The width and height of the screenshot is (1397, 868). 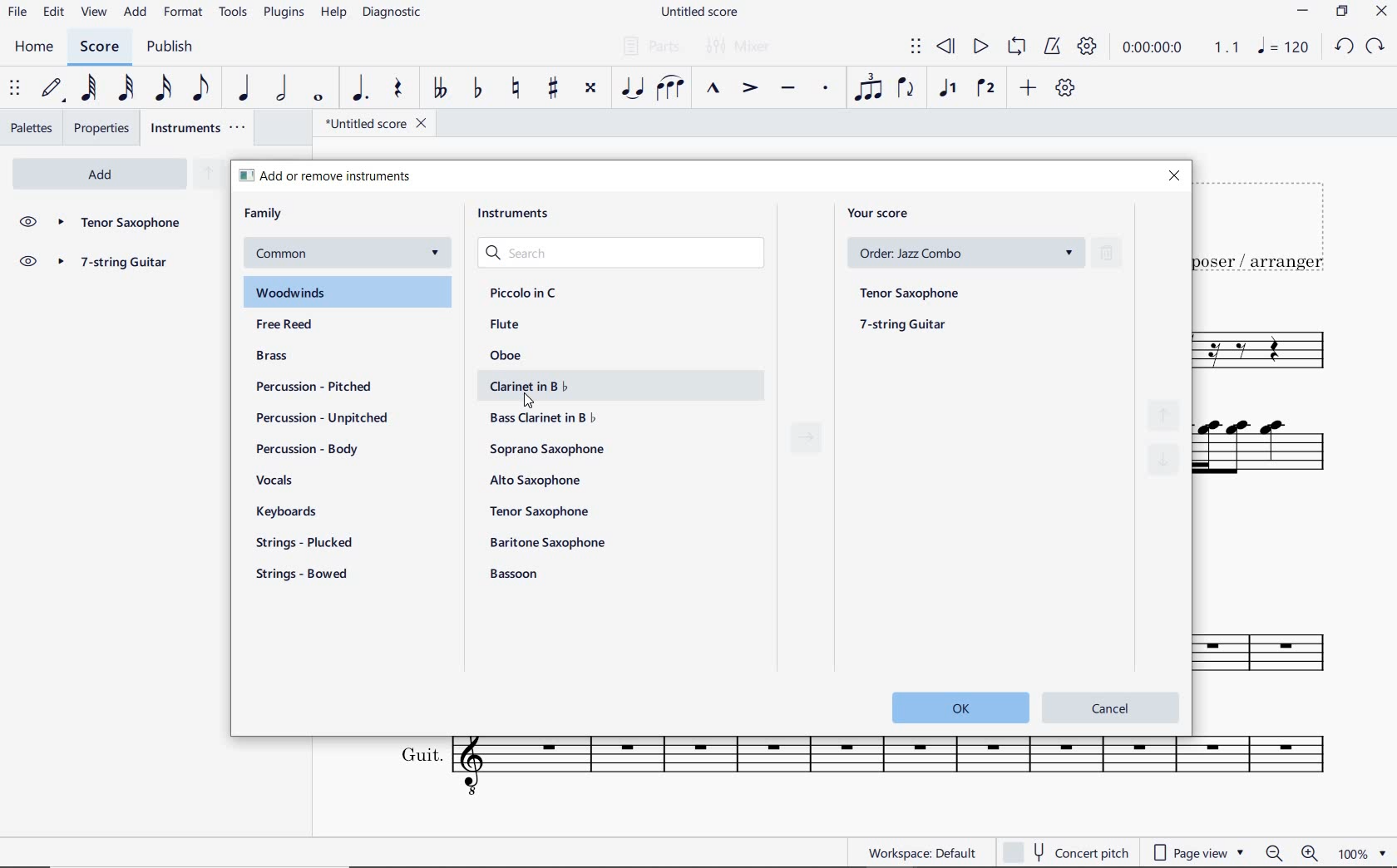 What do you see at coordinates (1283, 46) in the screenshot?
I see `NOTE` at bounding box center [1283, 46].